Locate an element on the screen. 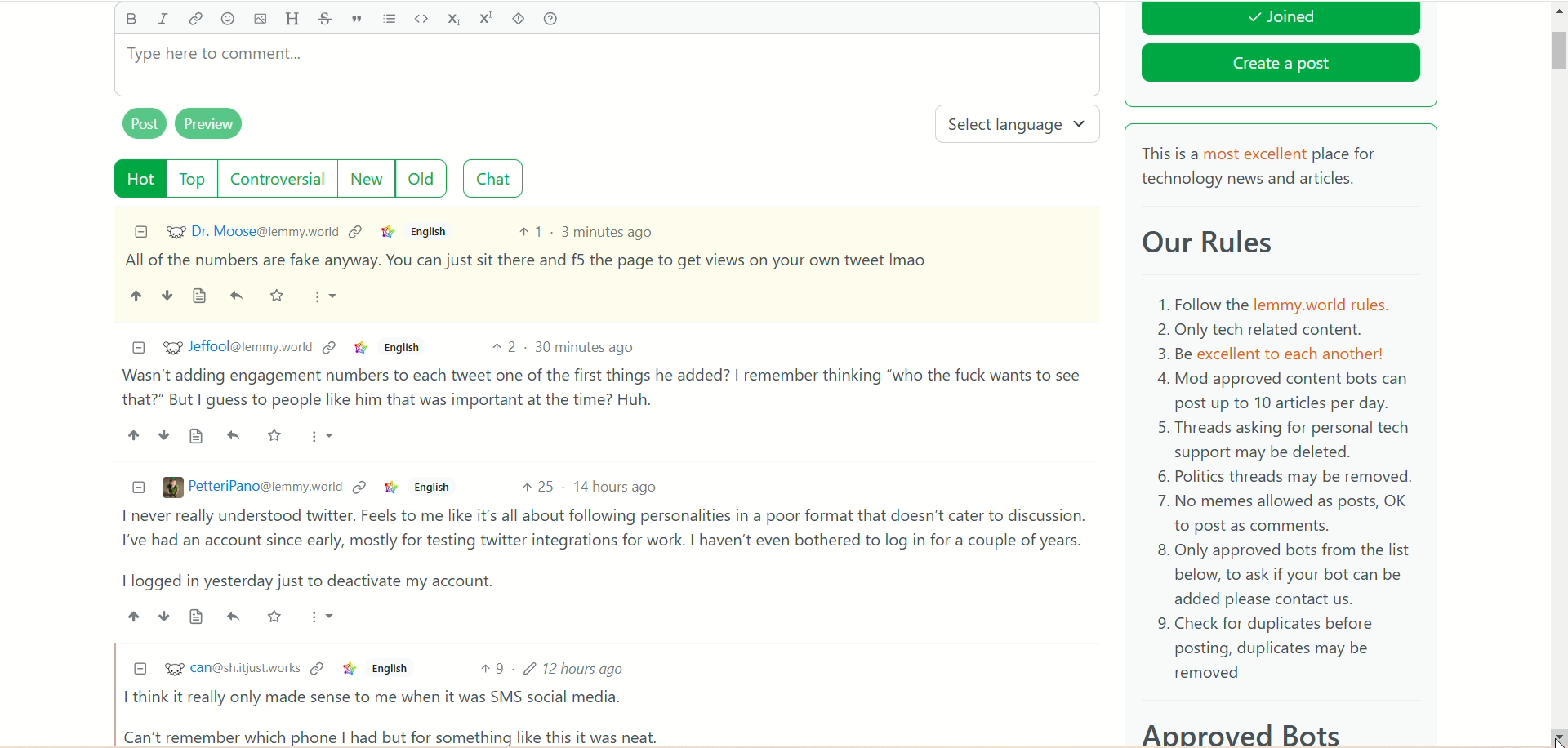 This screenshot has width=1568, height=748. | think it really only made sense to me when it was SMS social media.
Can't remember which phone | had but for something like this it was neat. is located at coordinates (396, 716).